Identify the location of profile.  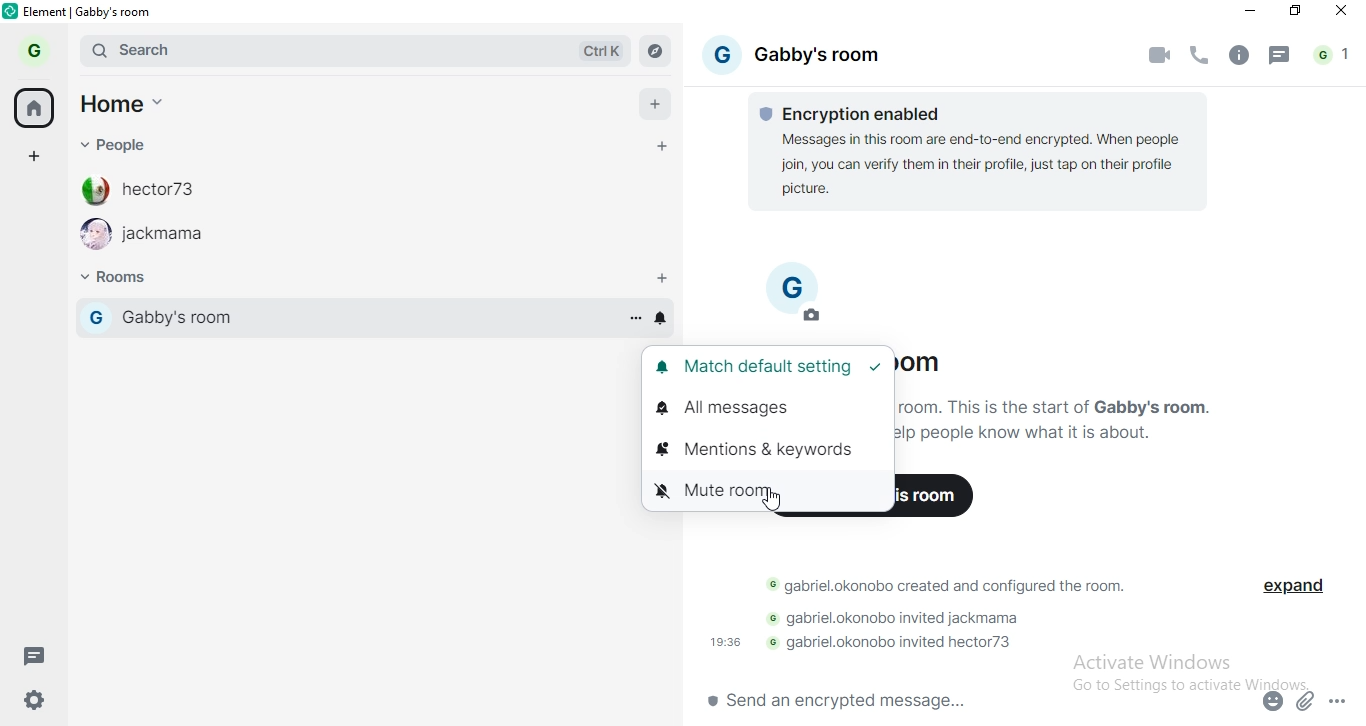
(97, 318).